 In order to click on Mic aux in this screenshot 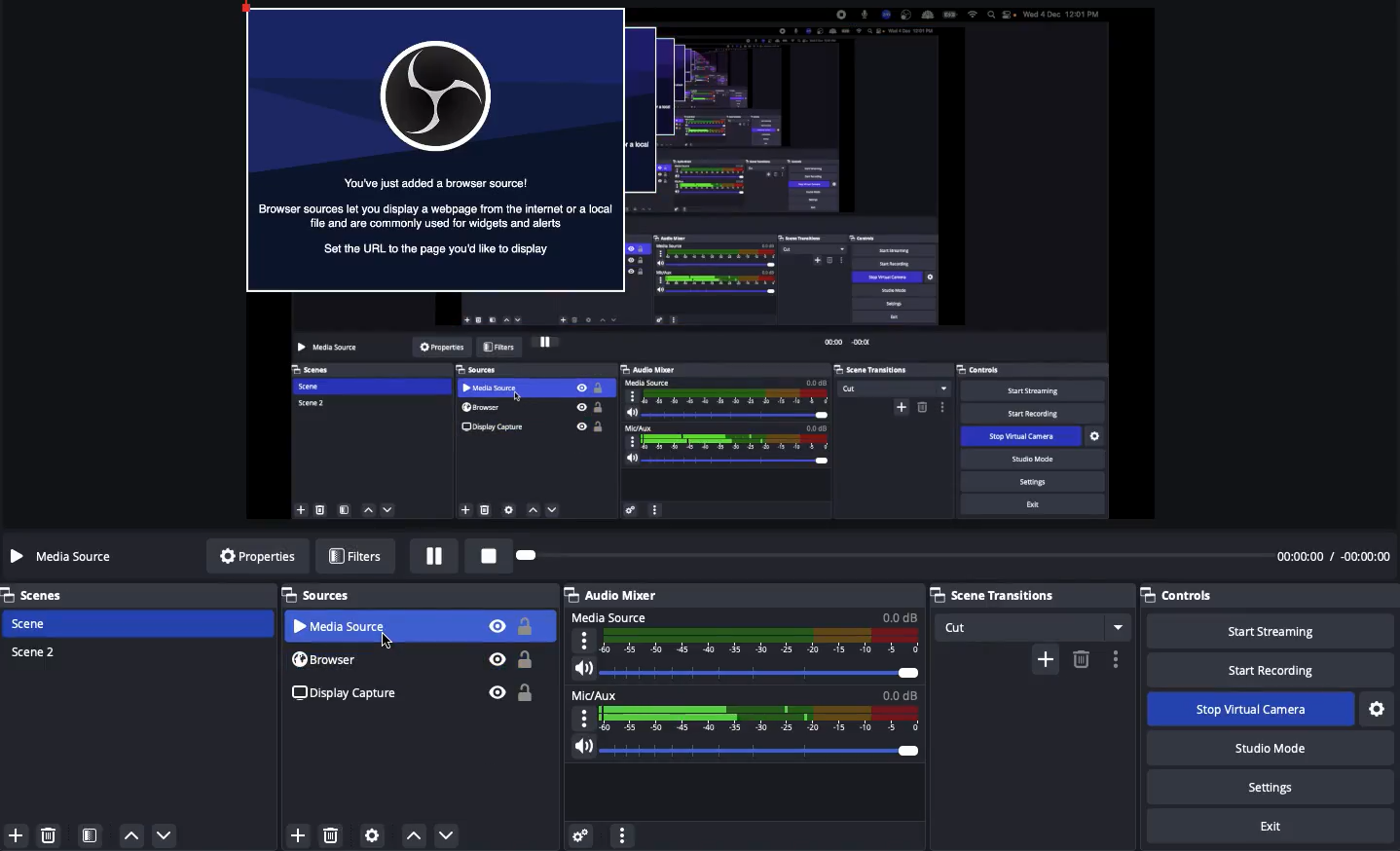, I will do `click(747, 709)`.